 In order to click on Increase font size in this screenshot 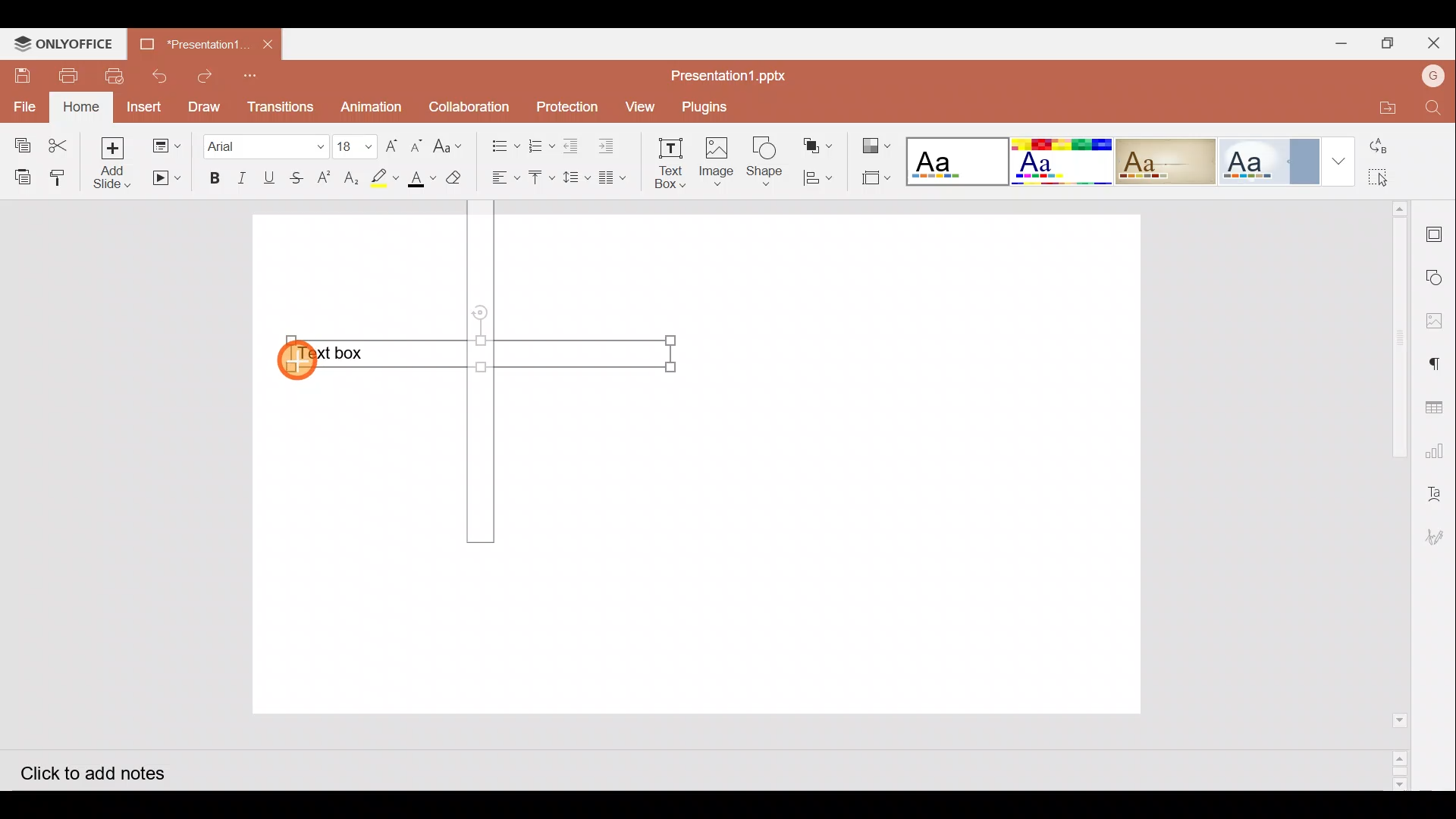, I will do `click(394, 144)`.